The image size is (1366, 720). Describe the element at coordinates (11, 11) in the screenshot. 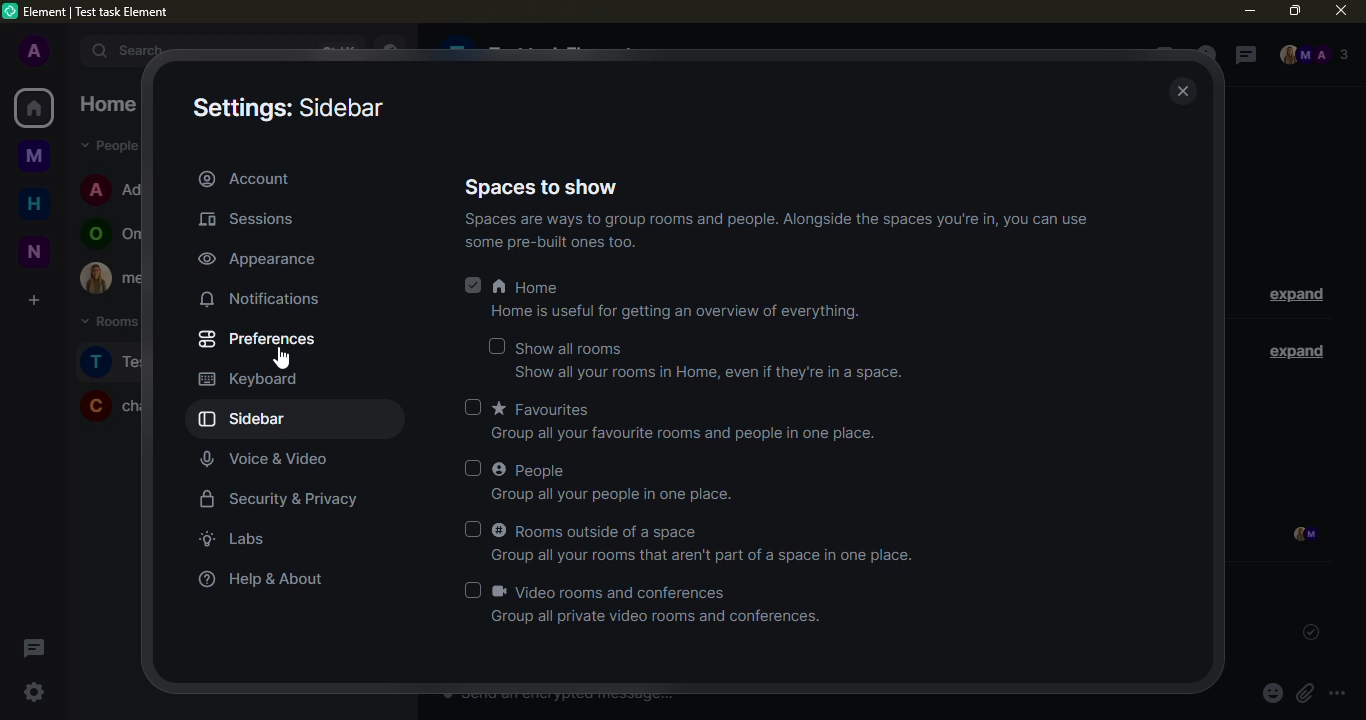

I see `logo` at that location.